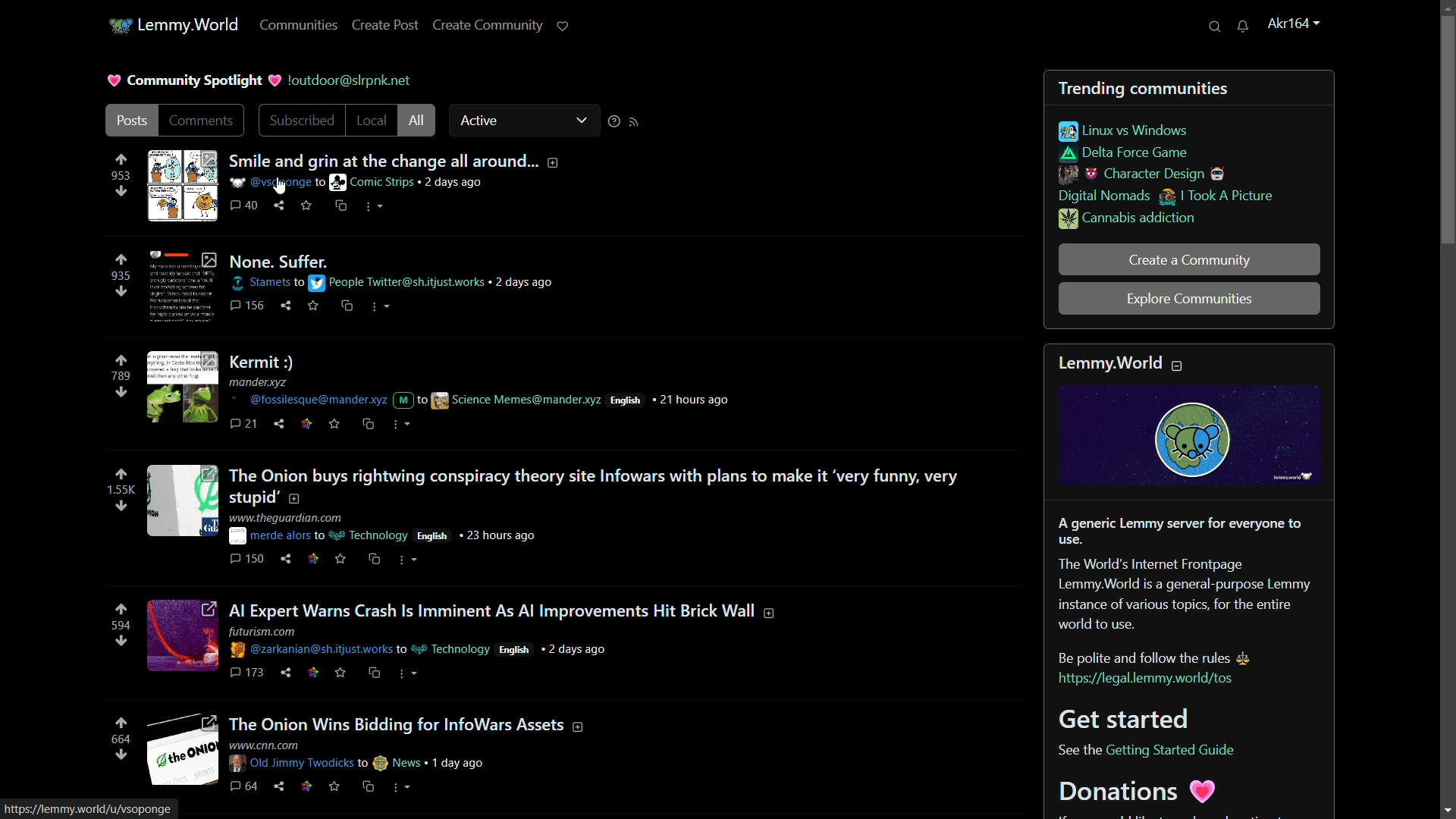 This screenshot has width=1456, height=819. What do you see at coordinates (122, 739) in the screenshot?
I see `number of votes` at bounding box center [122, 739].